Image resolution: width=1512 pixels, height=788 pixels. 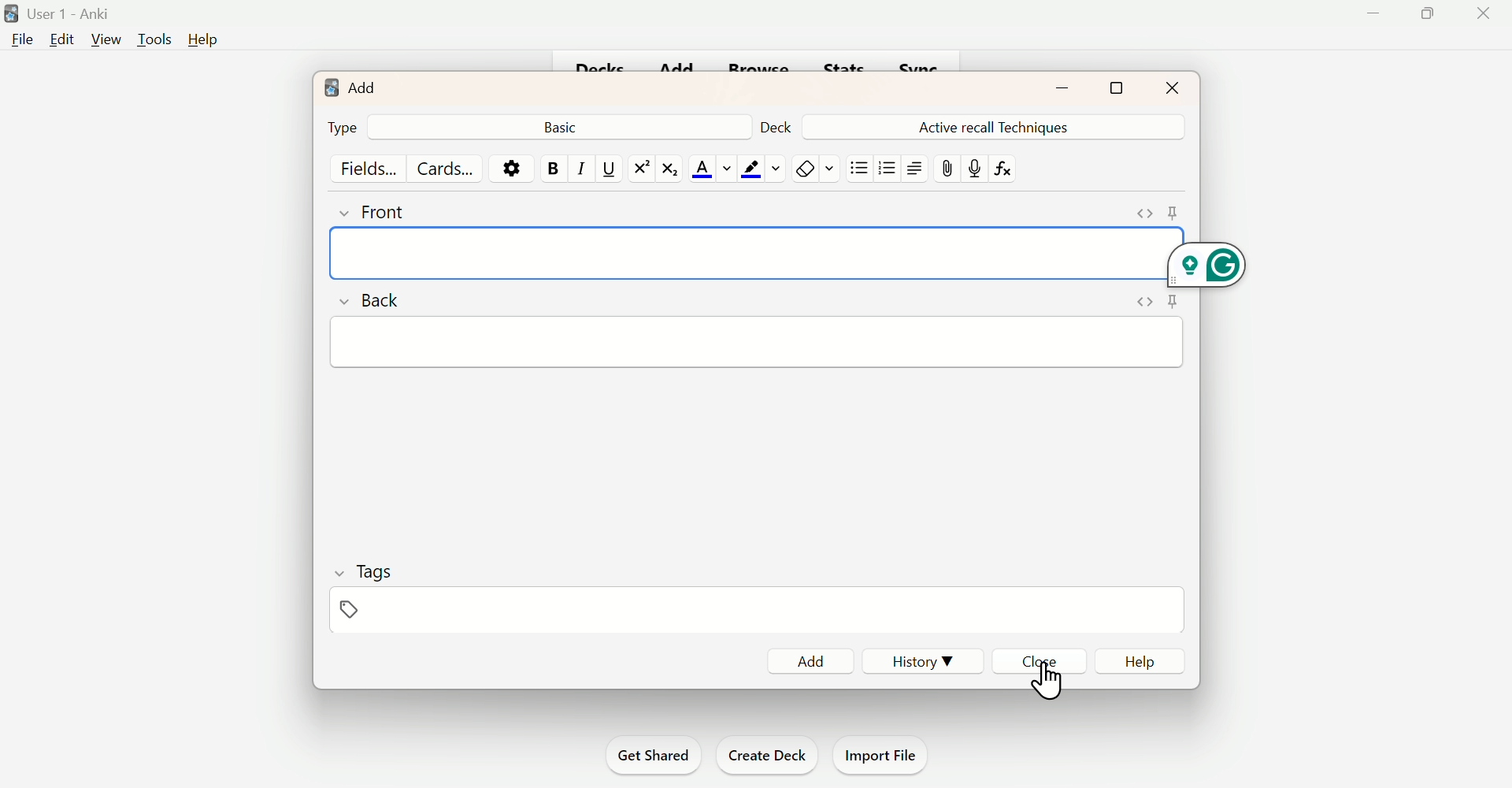 What do you see at coordinates (562, 125) in the screenshot?
I see `Back` at bounding box center [562, 125].